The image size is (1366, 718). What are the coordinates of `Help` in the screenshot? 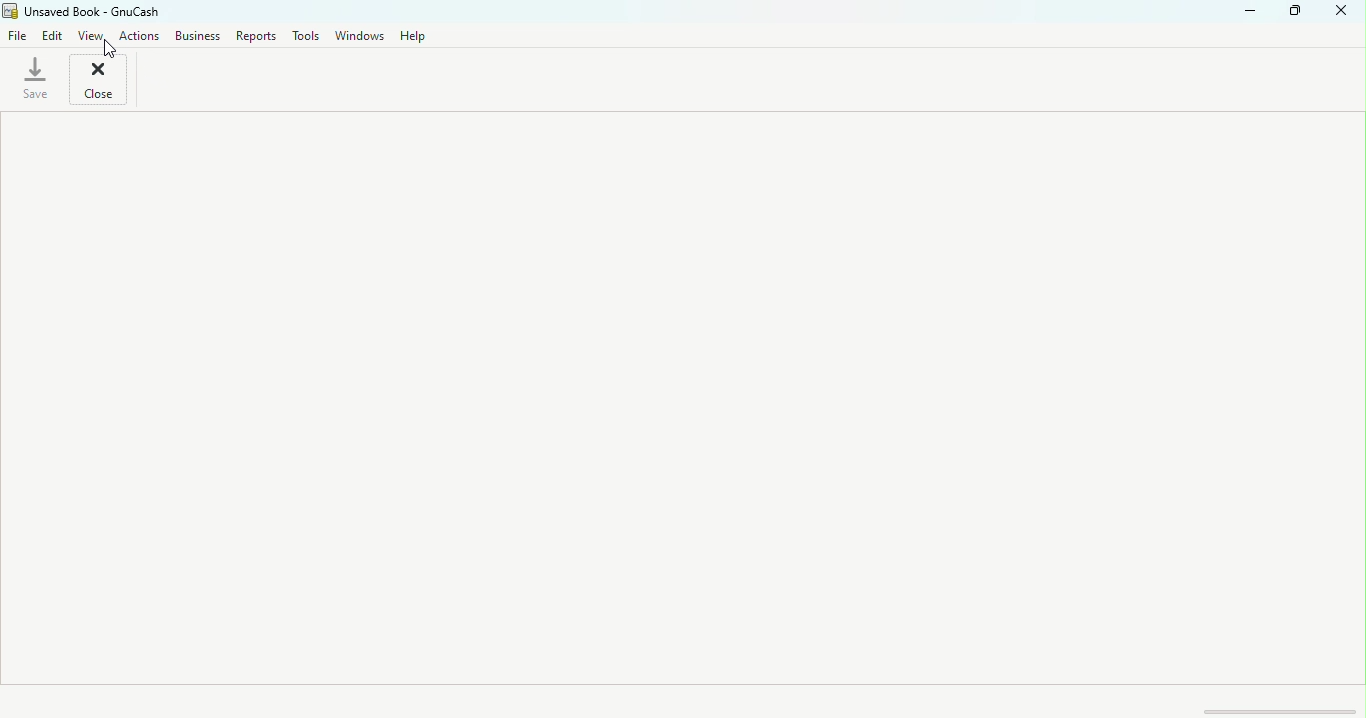 It's located at (417, 35).